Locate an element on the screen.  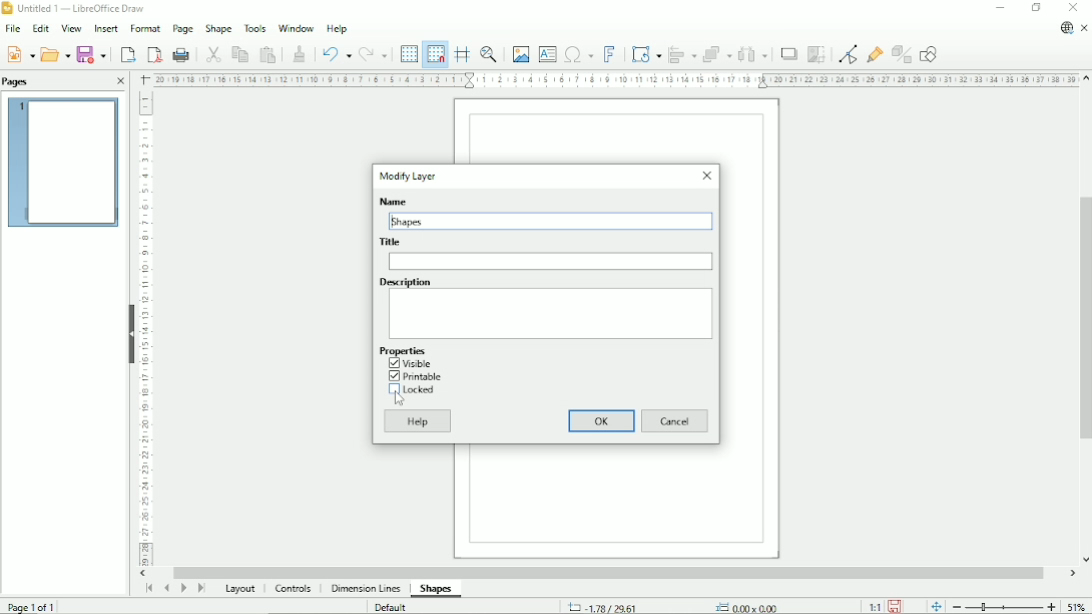
Scaling factor is located at coordinates (874, 606).